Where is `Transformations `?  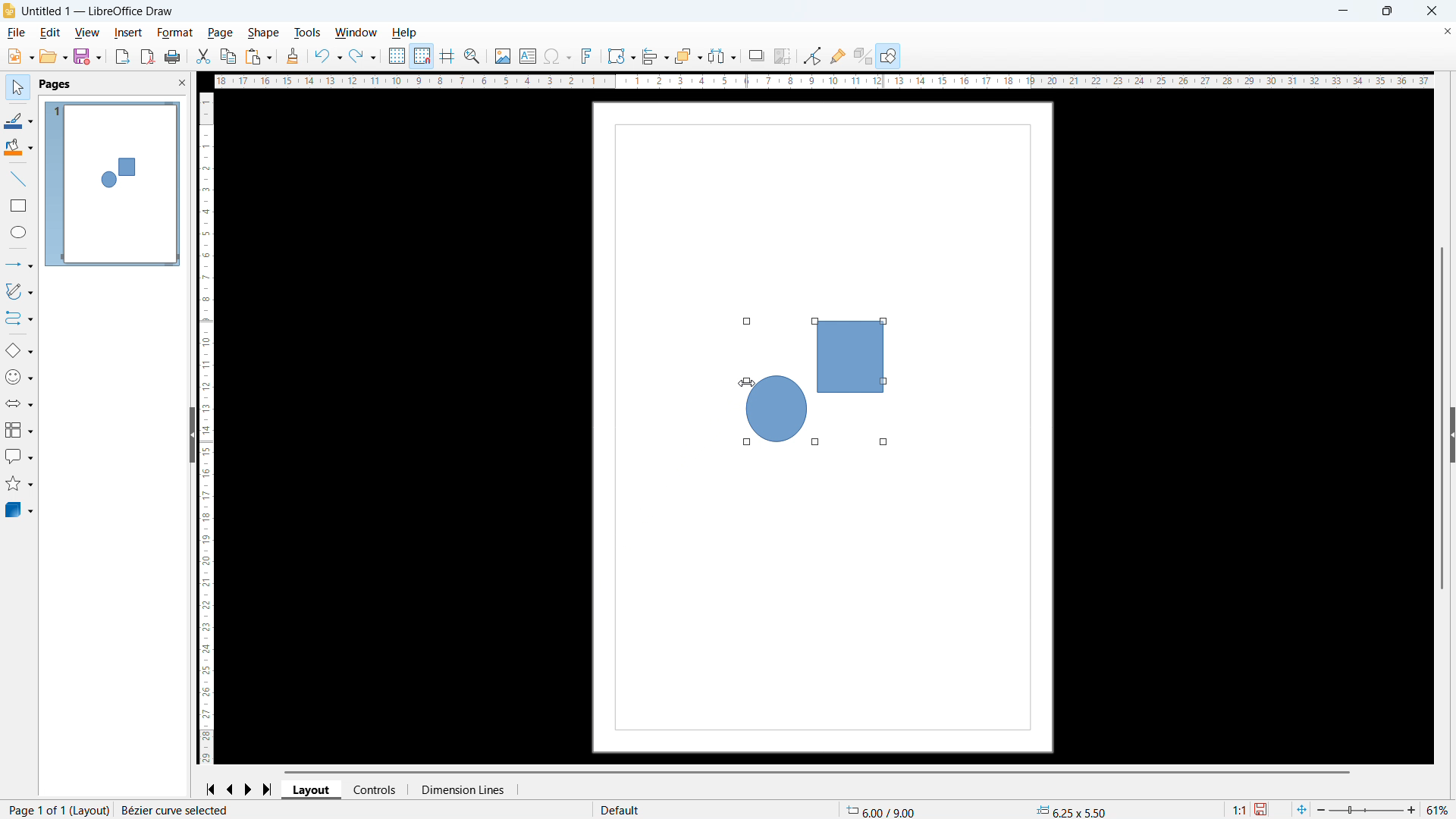
Transformations  is located at coordinates (621, 56).